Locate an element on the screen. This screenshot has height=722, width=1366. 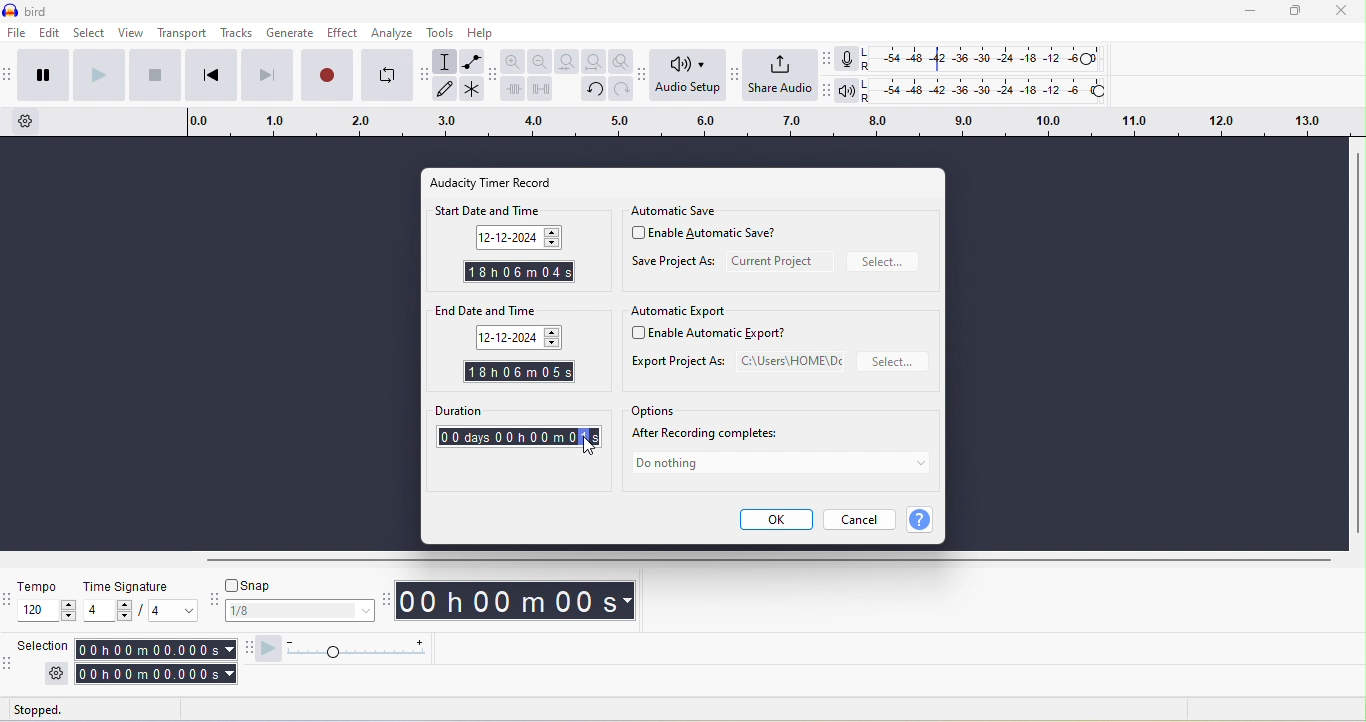
selection tool is located at coordinates (447, 63).